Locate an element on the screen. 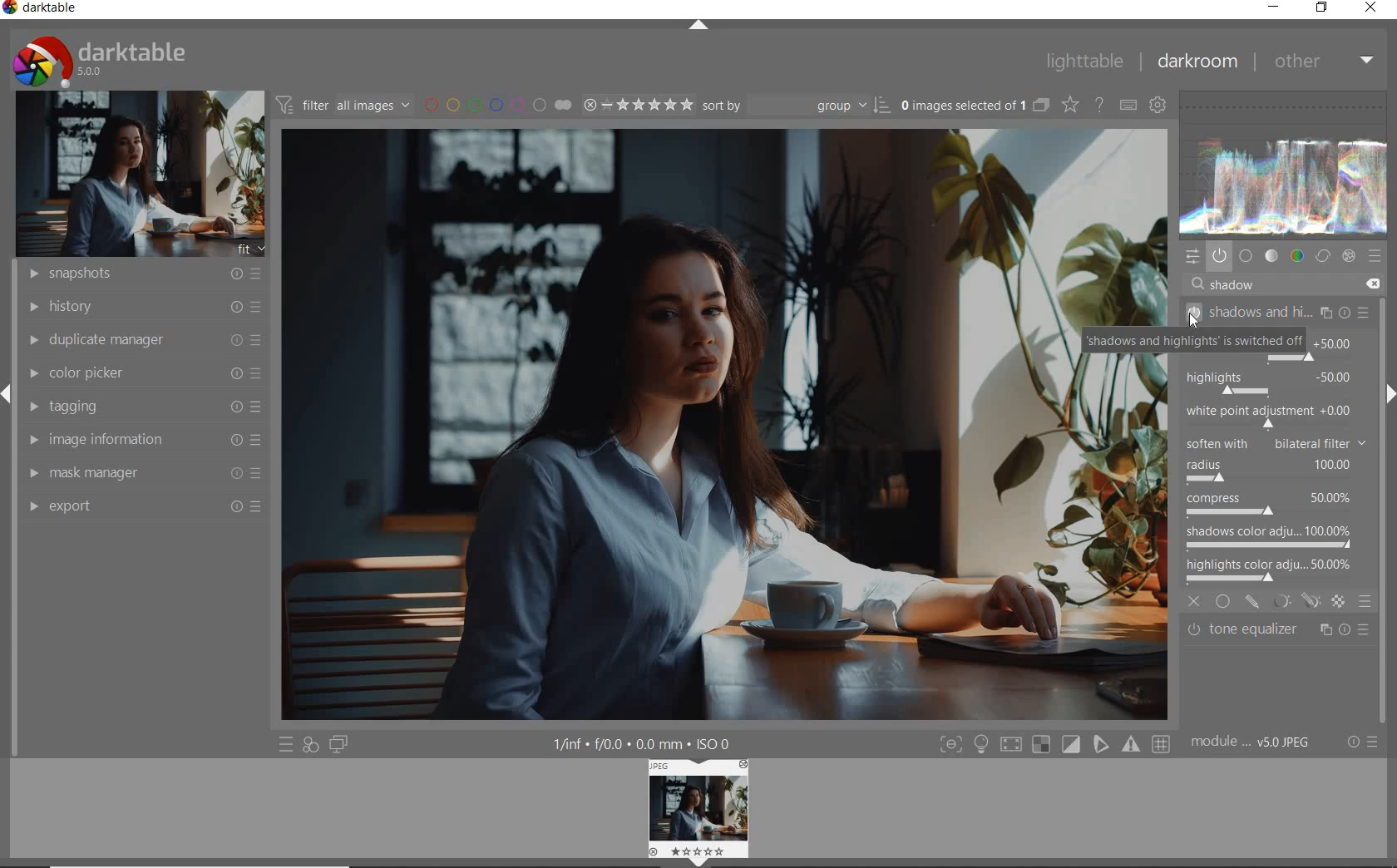  waveform is located at coordinates (1288, 165).